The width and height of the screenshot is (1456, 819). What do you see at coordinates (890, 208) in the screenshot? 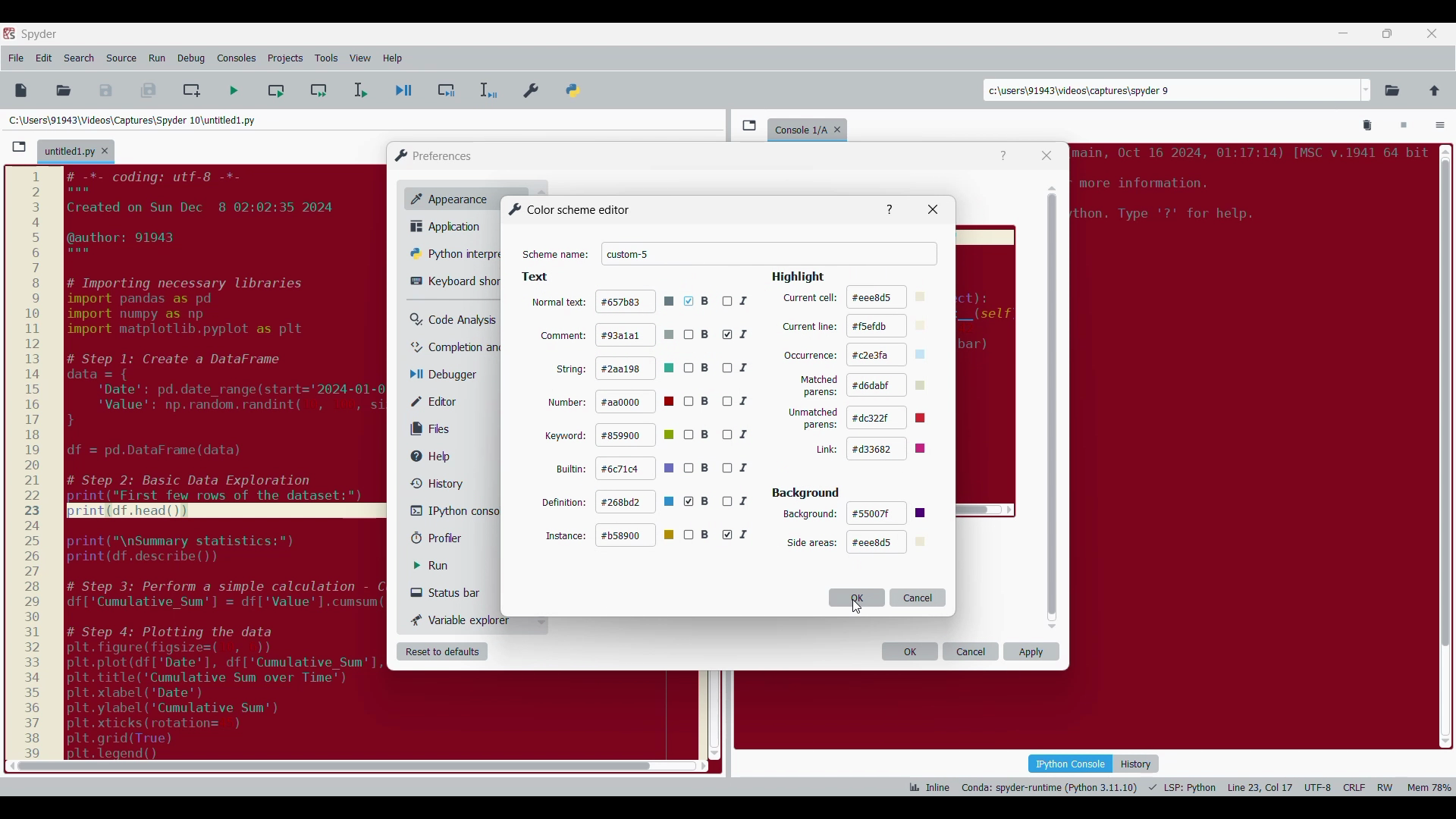
I see `` at bounding box center [890, 208].